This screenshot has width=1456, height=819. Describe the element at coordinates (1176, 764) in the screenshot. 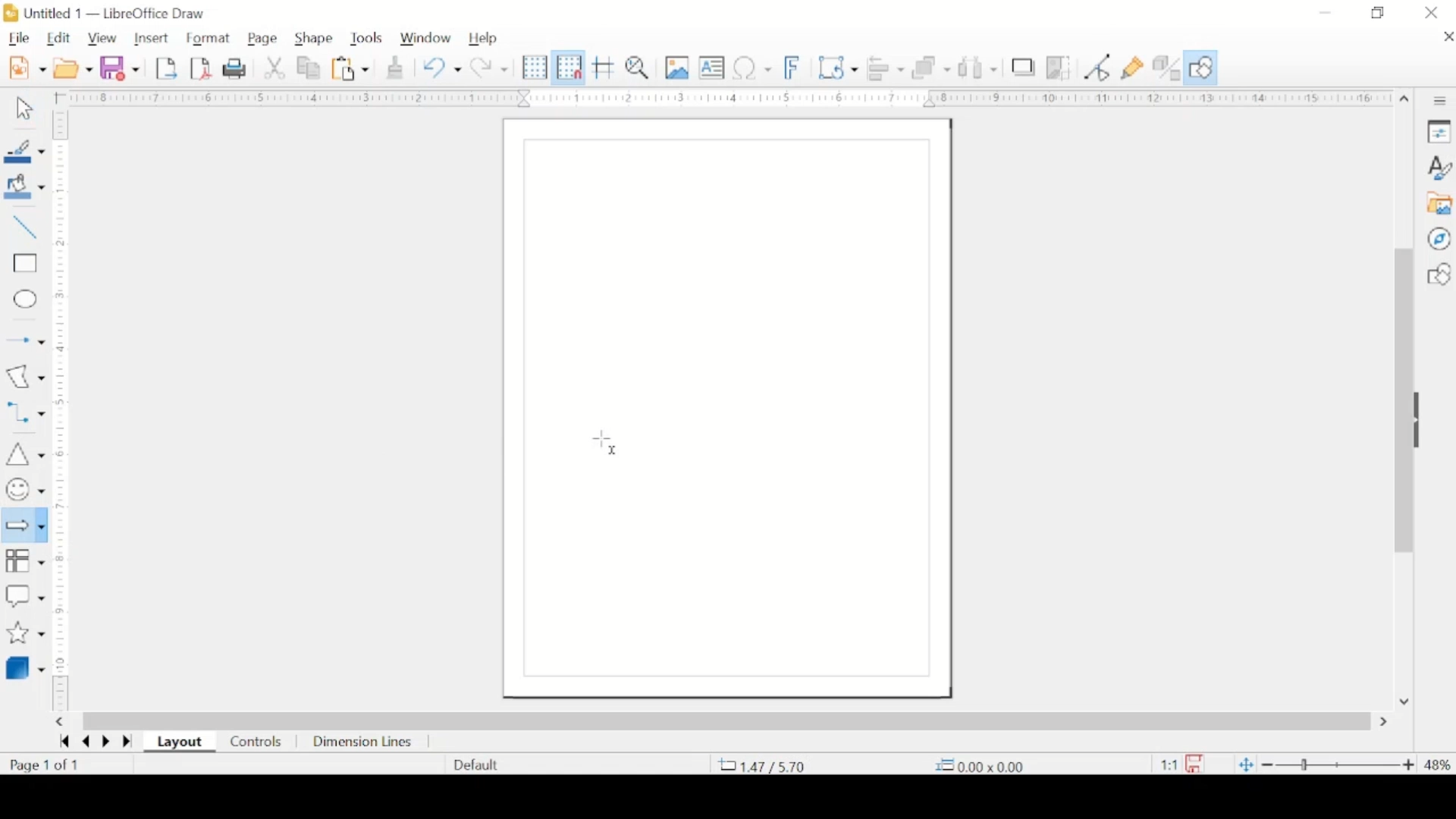

I see `this document has been modified` at that location.